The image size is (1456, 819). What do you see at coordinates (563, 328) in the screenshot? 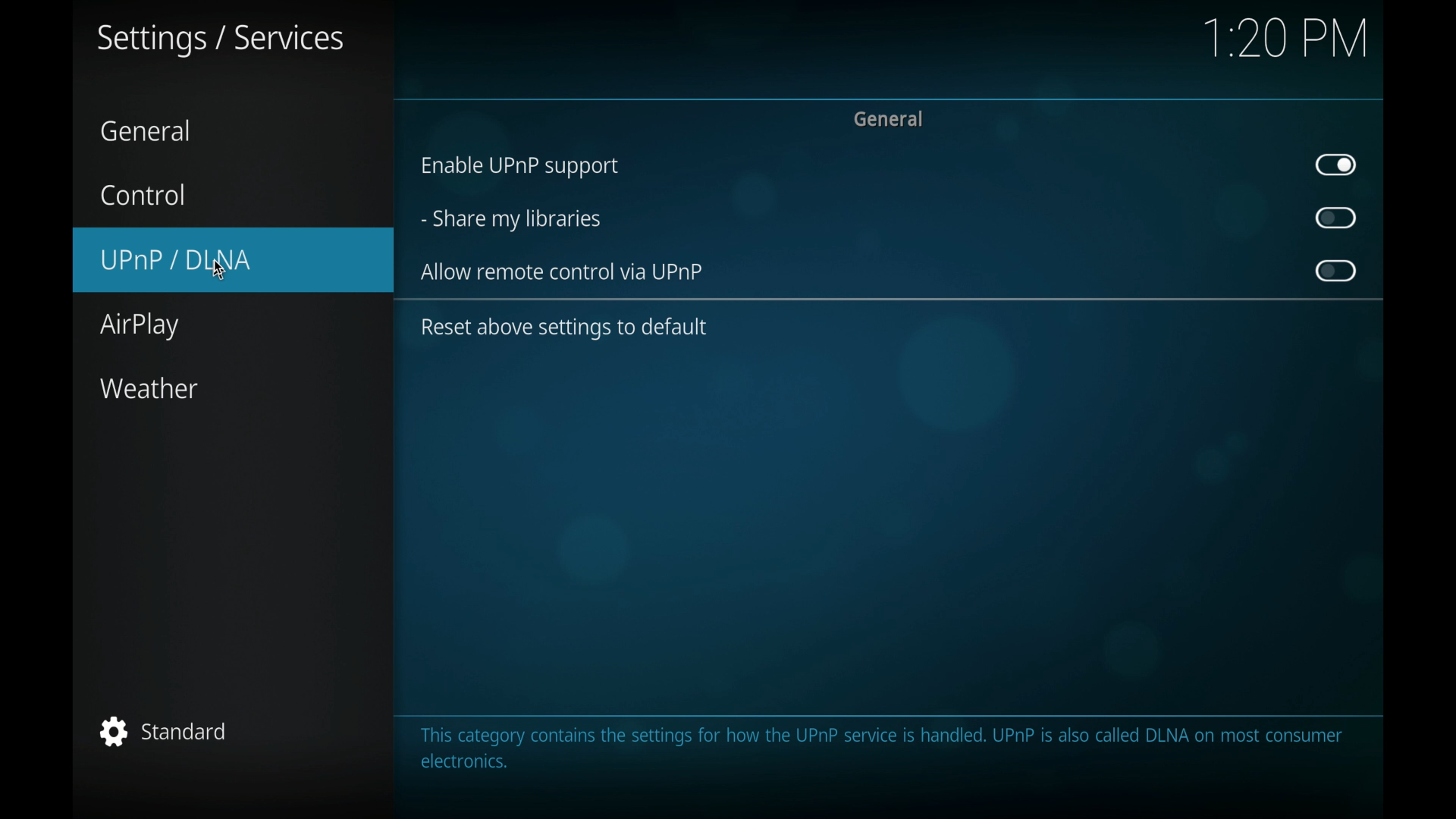
I see `reset above settings to default` at bounding box center [563, 328].